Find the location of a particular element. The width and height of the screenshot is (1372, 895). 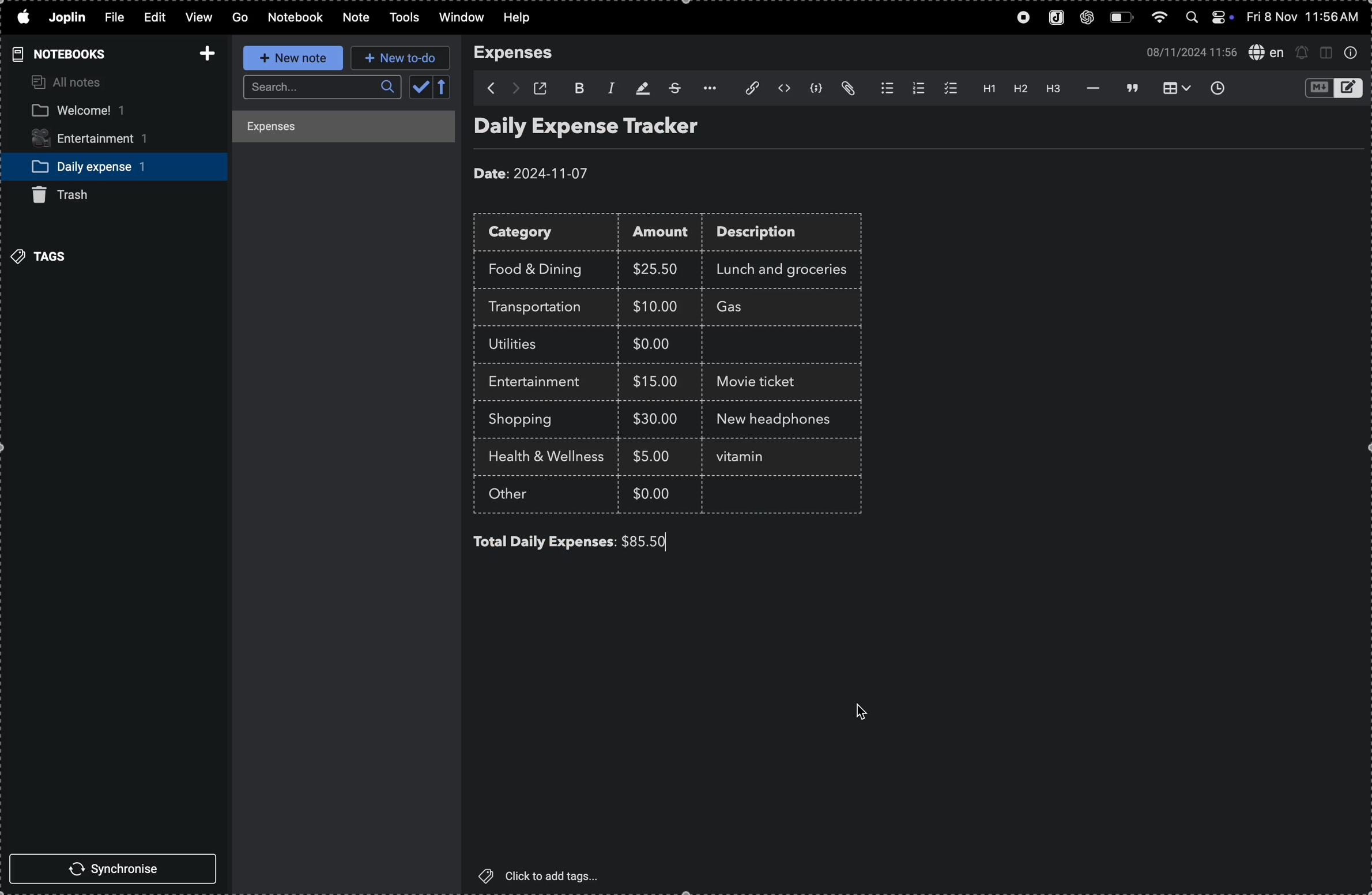

new to do is located at coordinates (401, 58).